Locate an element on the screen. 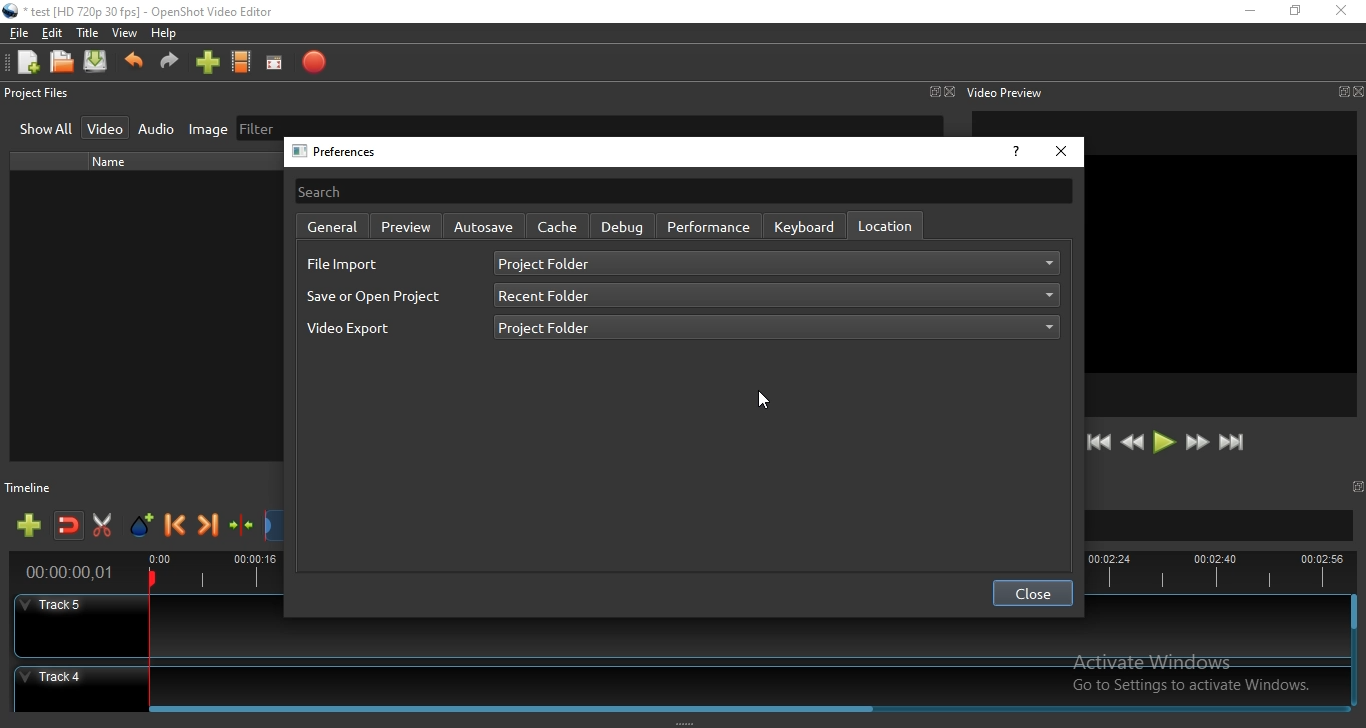  Restore is located at coordinates (1295, 11).